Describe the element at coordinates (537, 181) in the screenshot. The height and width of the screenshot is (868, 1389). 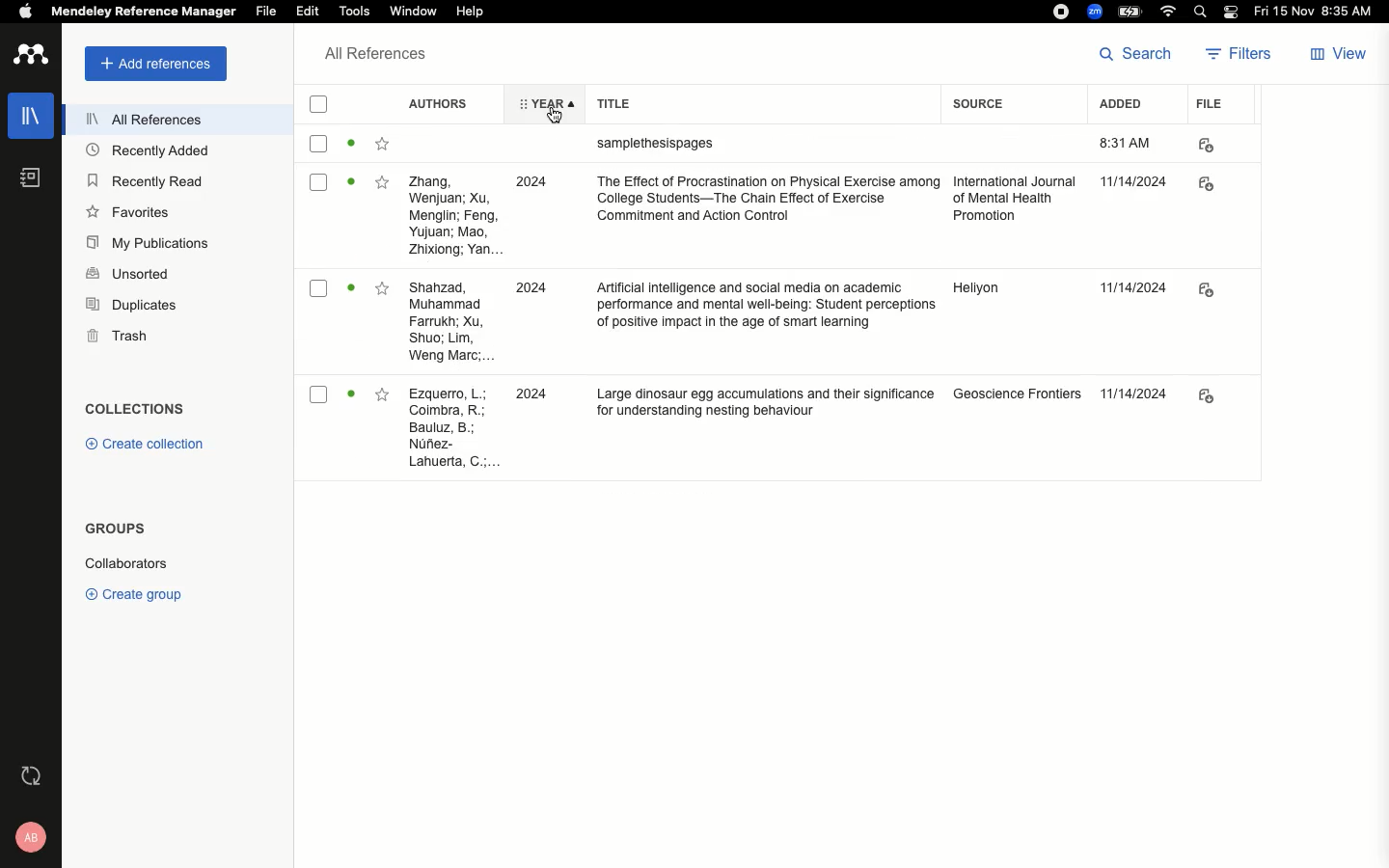
I see `year of publication` at that location.